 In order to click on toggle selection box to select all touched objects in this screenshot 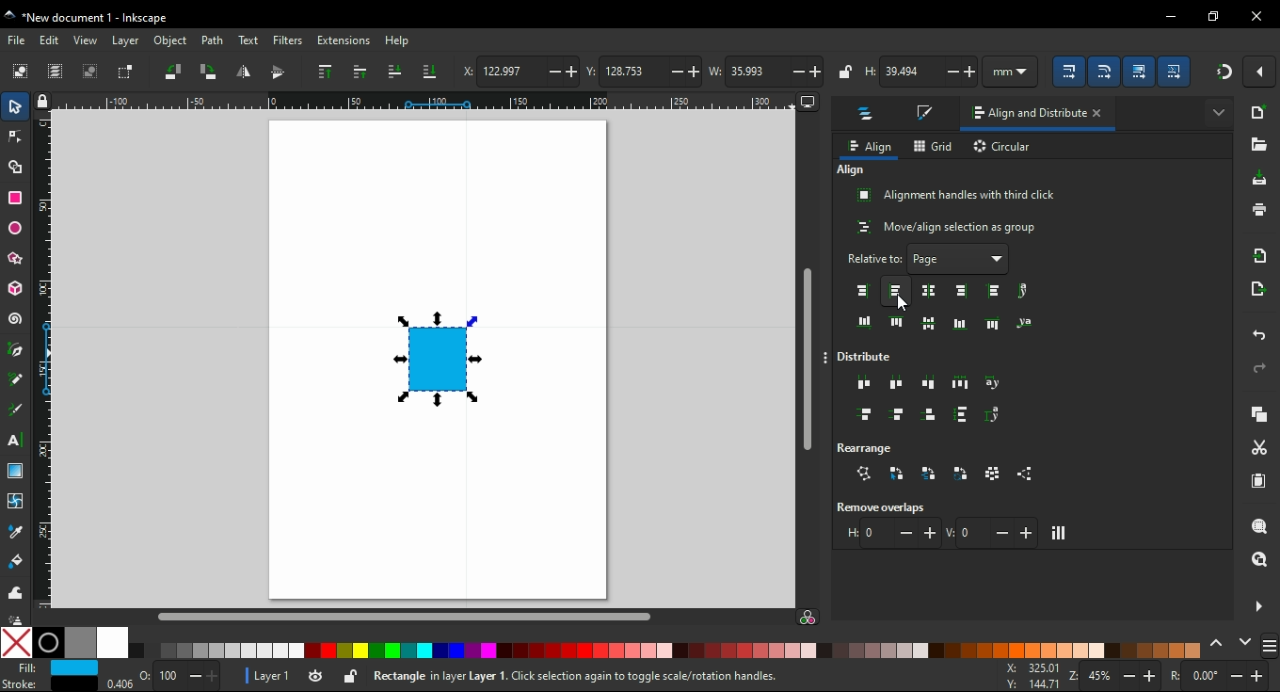, I will do `click(126, 72)`.